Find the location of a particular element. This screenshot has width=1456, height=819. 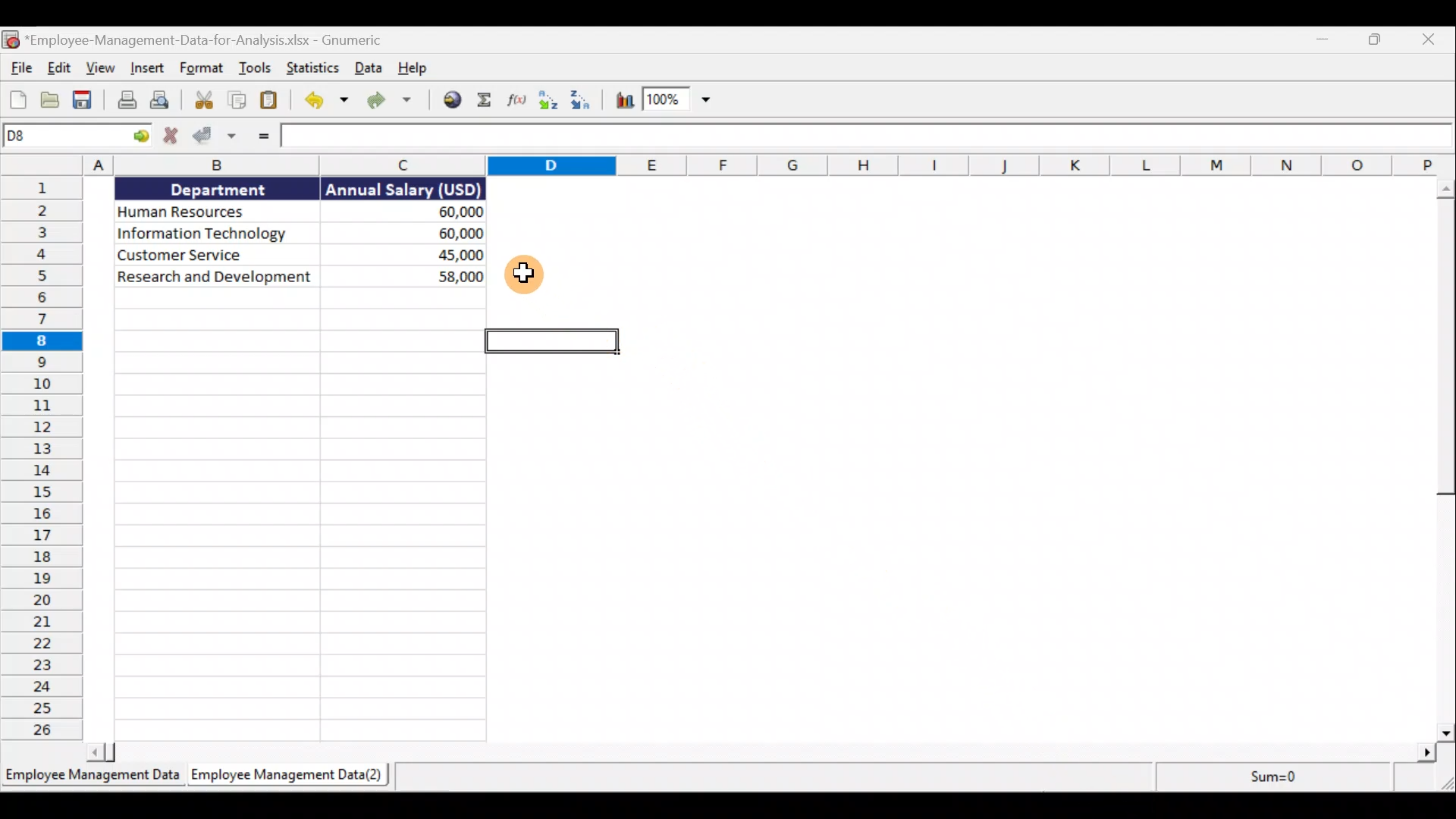

Close is located at coordinates (1430, 40).